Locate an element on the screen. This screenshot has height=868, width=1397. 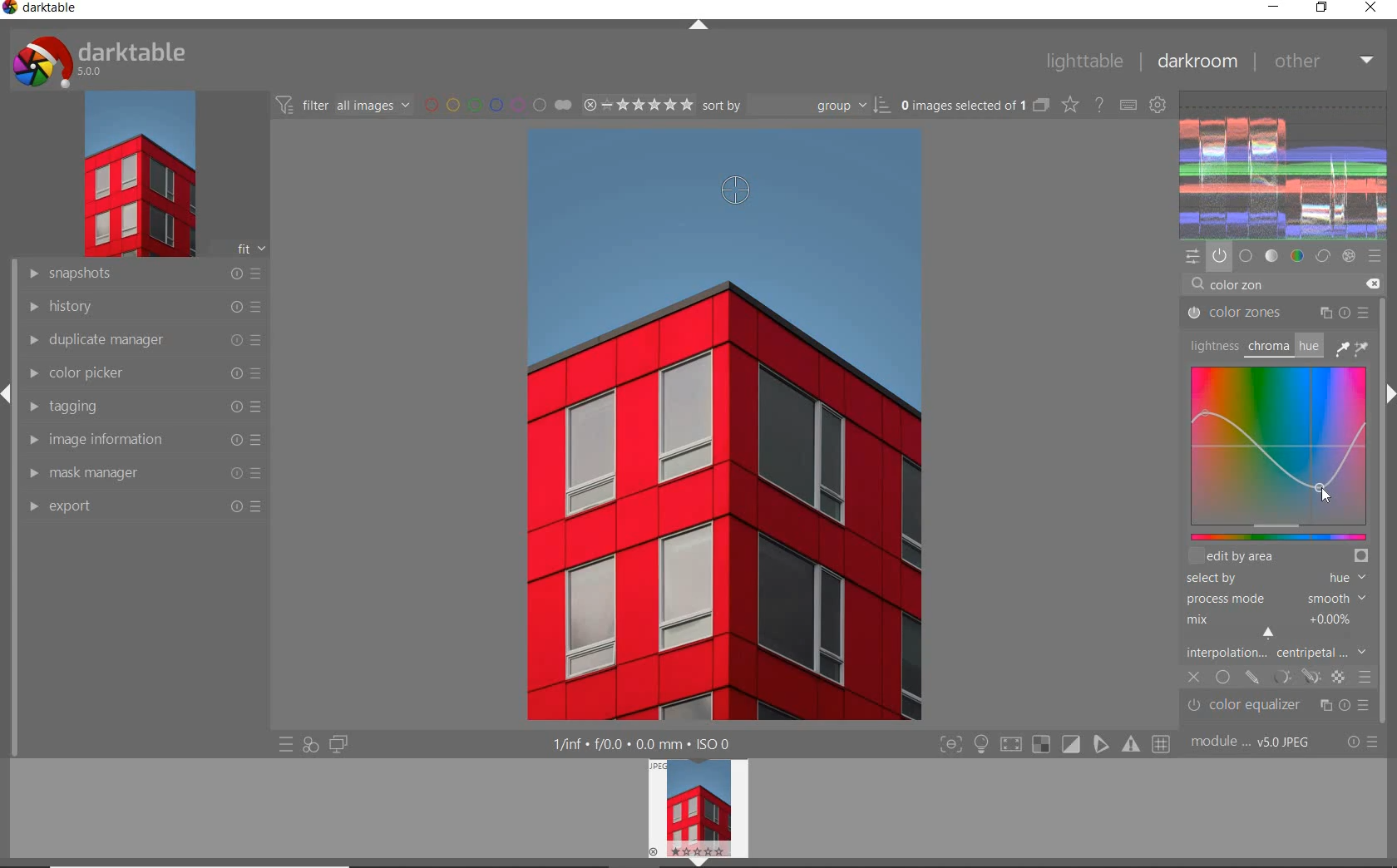
SELECTED BY is located at coordinates (1271, 579).